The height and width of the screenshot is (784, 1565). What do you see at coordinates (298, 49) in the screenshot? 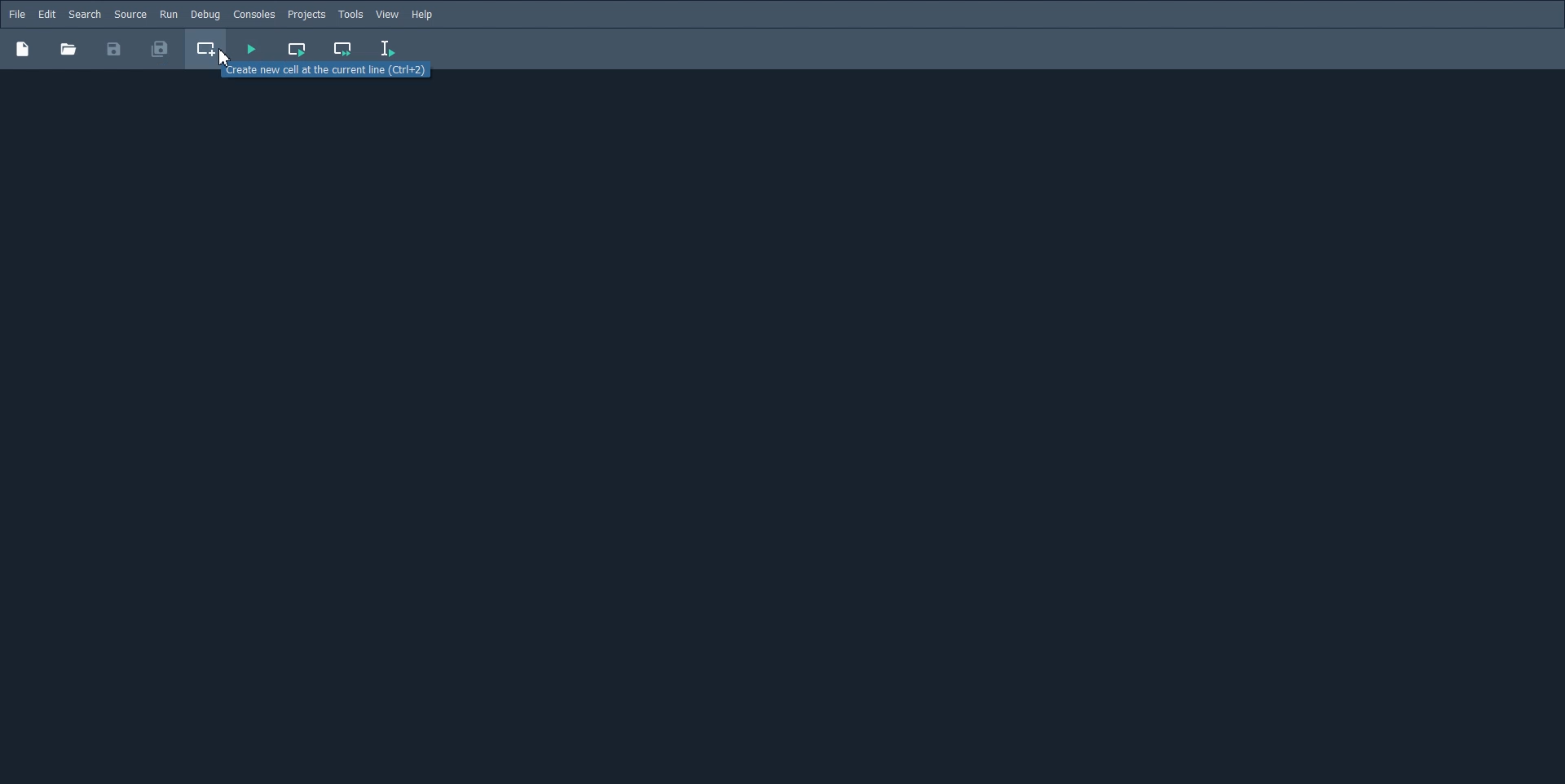
I see `Run Current cell` at bounding box center [298, 49].